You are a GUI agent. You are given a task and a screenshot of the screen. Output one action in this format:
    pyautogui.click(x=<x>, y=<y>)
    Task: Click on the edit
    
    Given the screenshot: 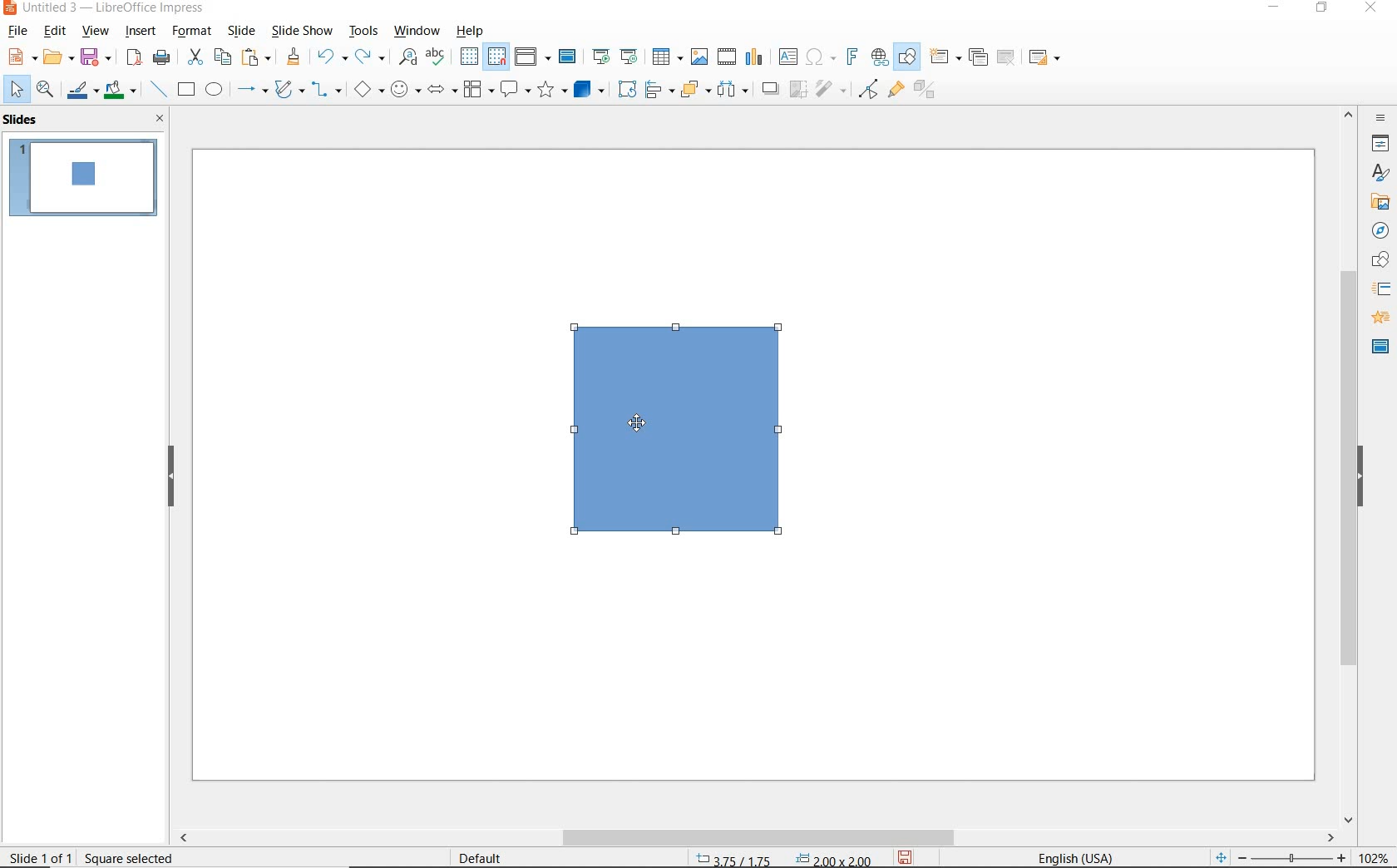 What is the action you would take?
    pyautogui.click(x=55, y=32)
    